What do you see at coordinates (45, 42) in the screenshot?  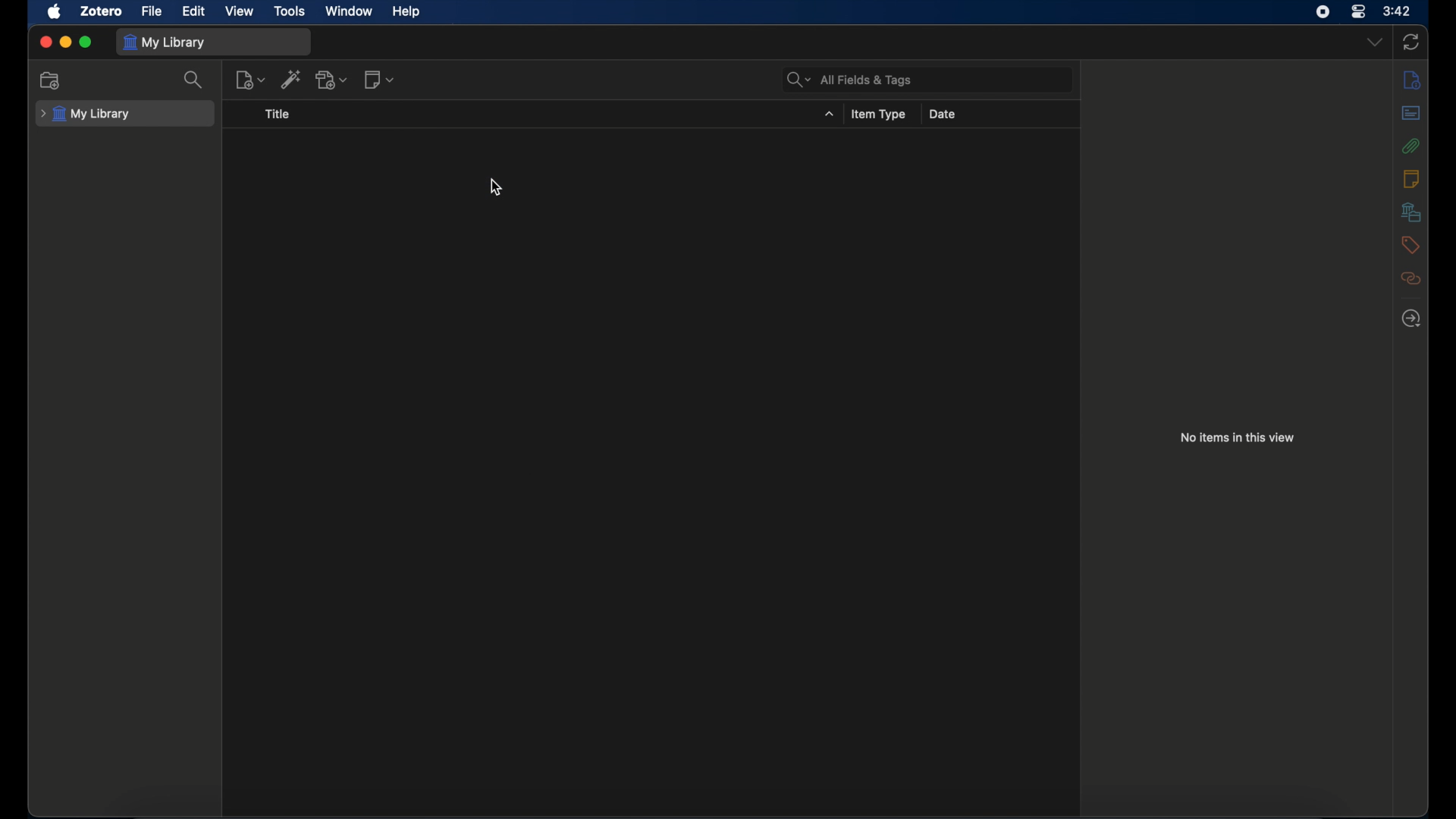 I see `close` at bounding box center [45, 42].